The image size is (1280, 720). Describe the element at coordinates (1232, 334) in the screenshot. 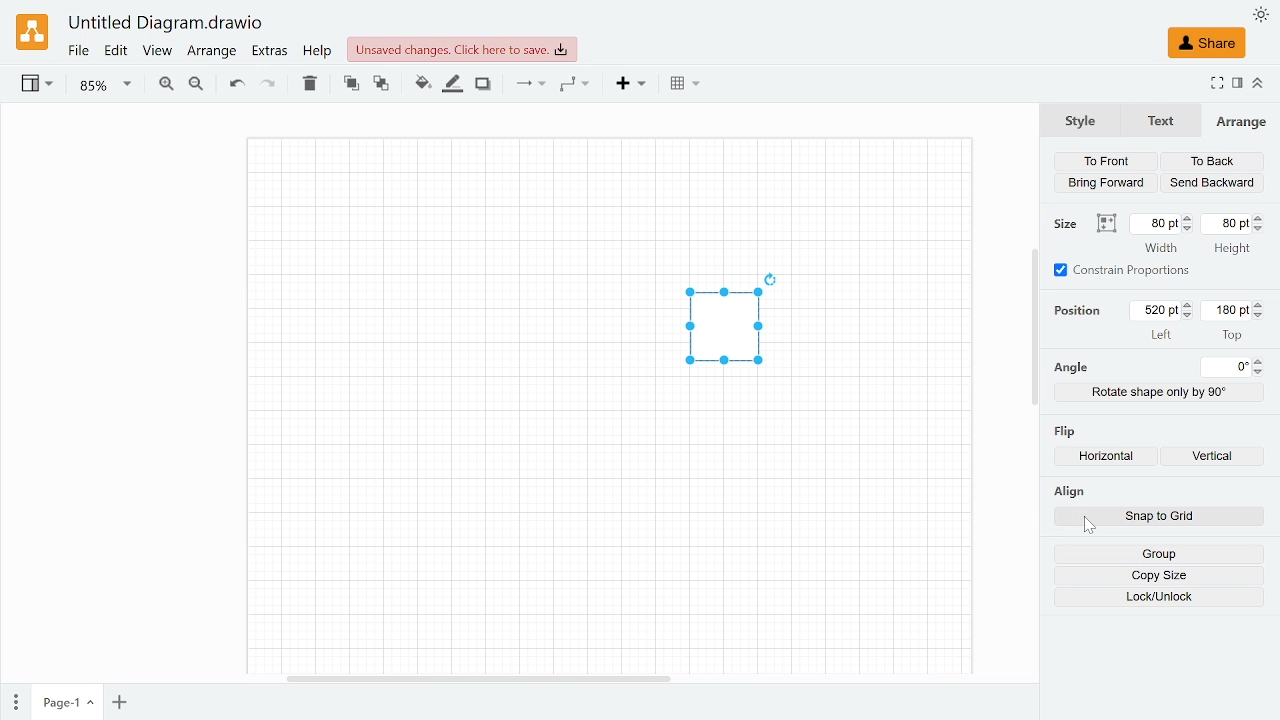

I see `top` at that location.